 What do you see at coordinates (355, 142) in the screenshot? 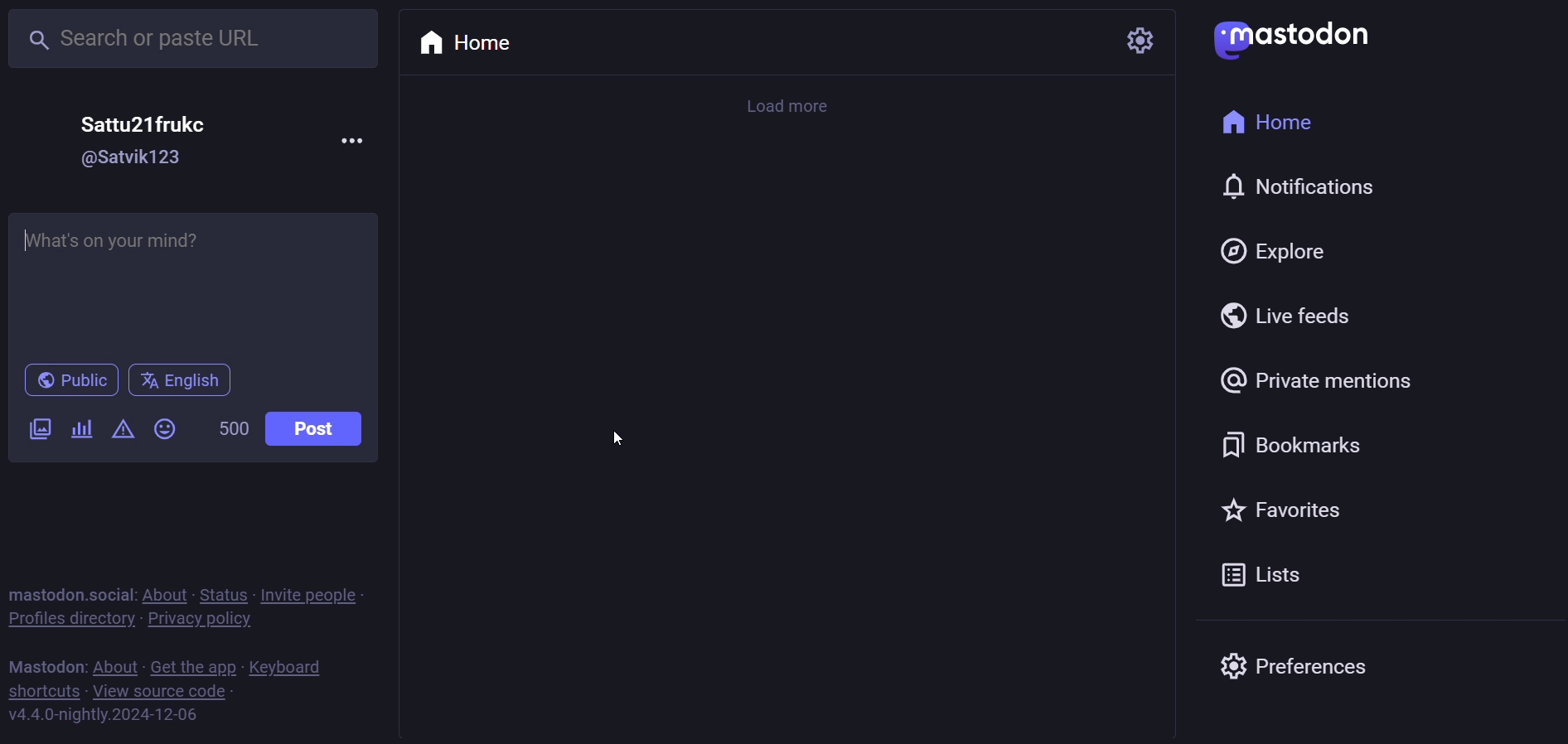
I see `more` at bounding box center [355, 142].